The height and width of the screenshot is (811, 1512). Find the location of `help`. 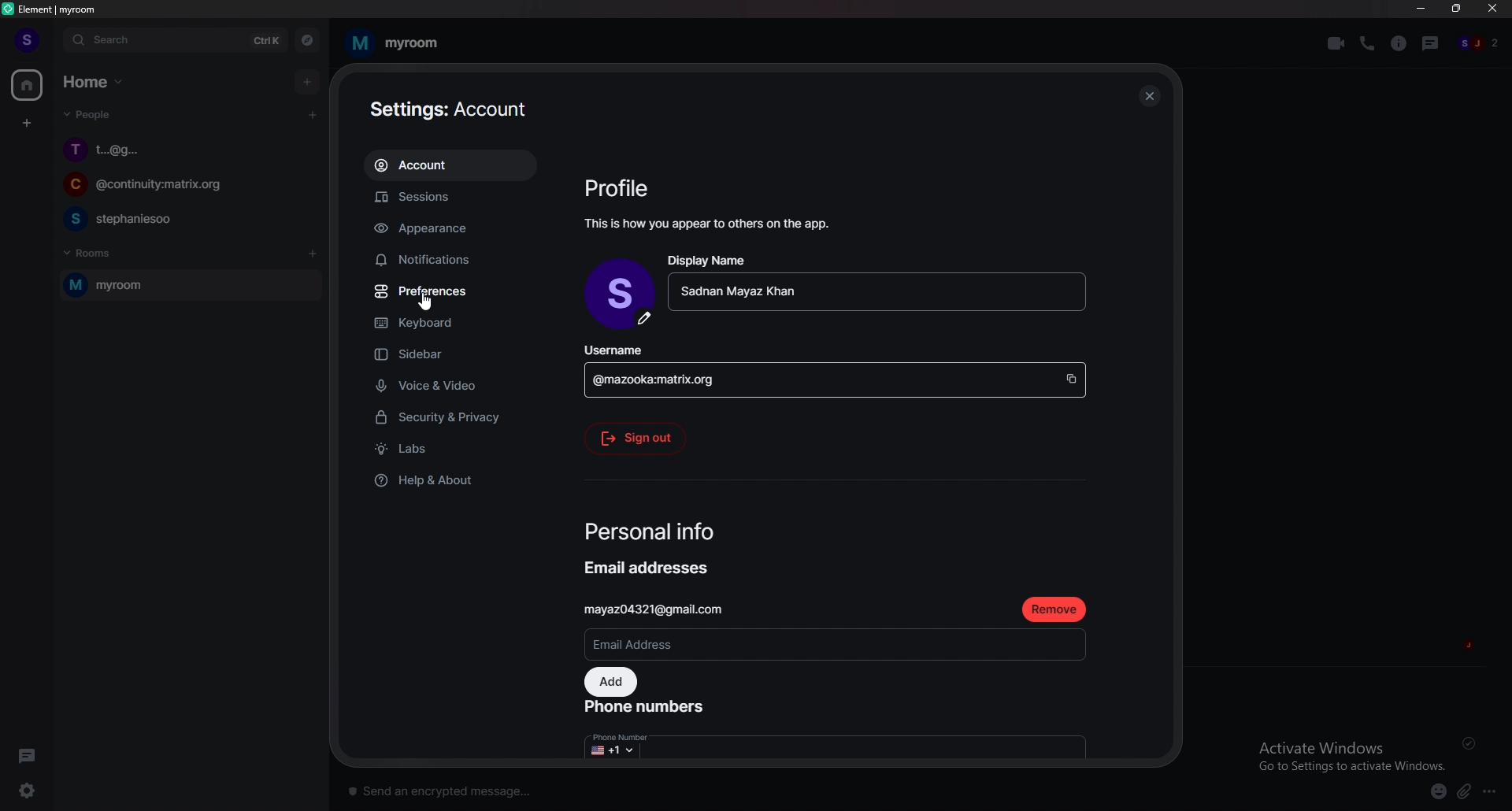

help is located at coordinates (449, 480).